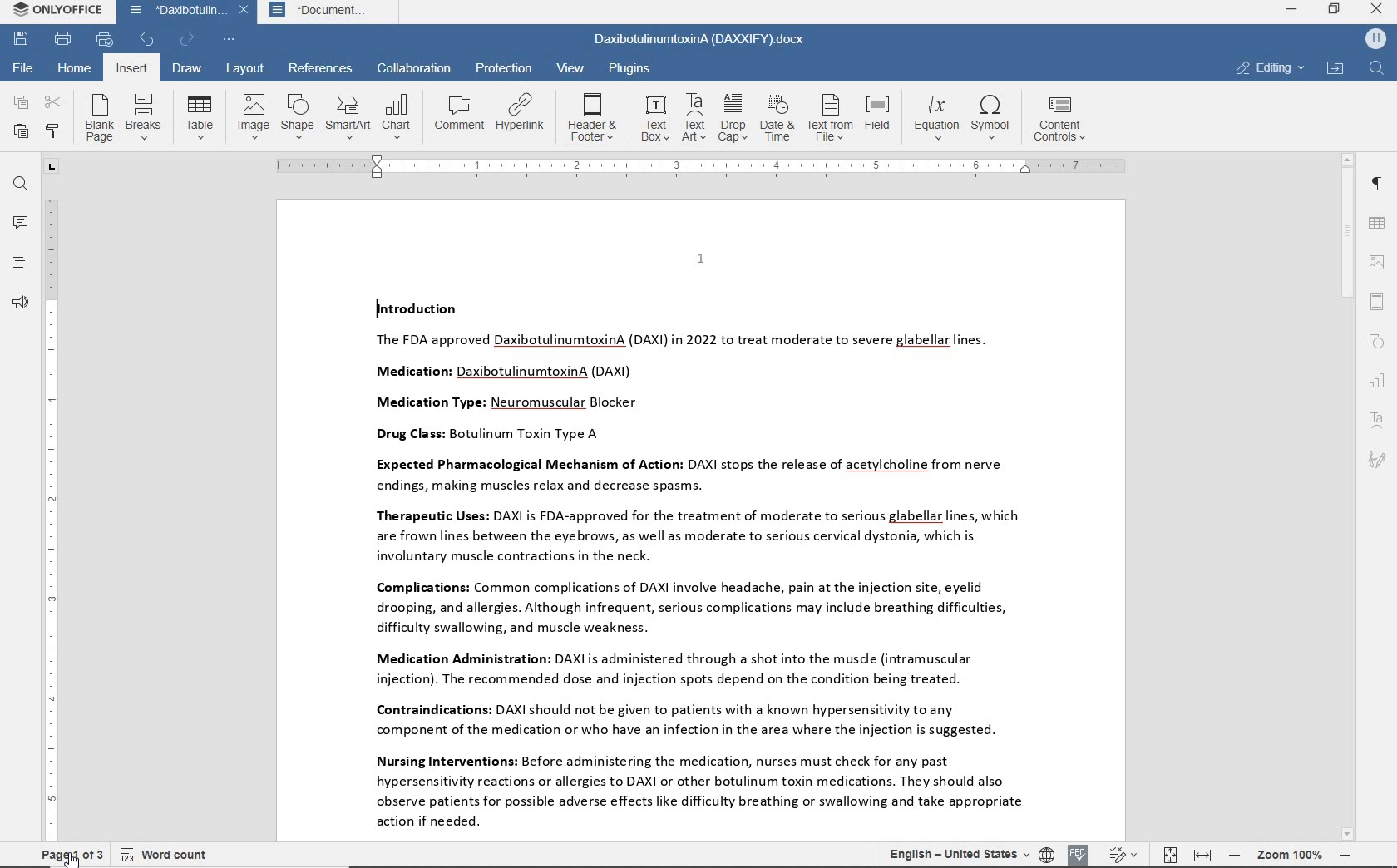  Describe the element at coordinates (187, 39) in the screenshot. I see `redo` at that location.